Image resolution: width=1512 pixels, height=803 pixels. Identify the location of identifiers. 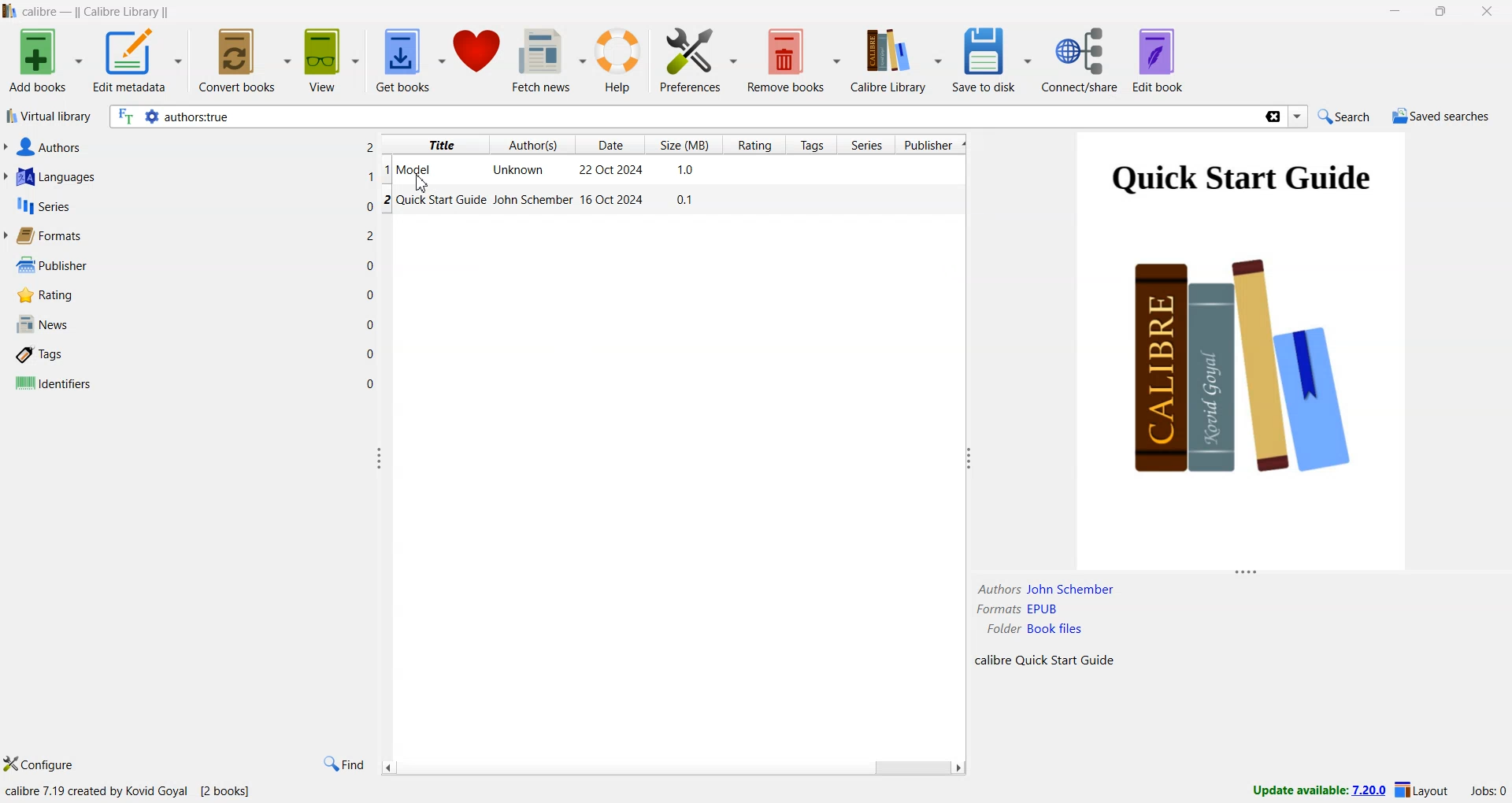
(53, 384).